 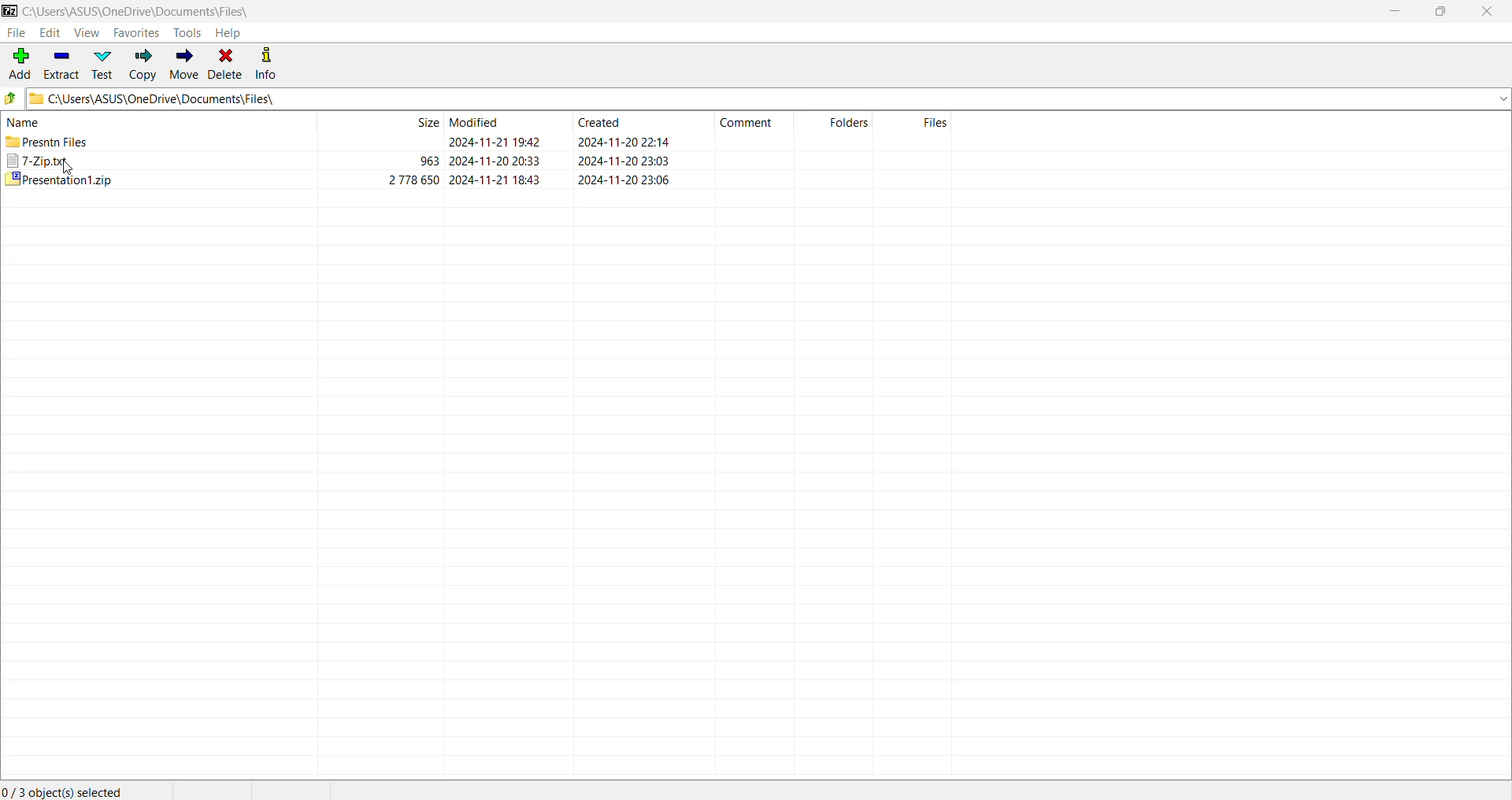 I want to click on folders, so click(x=850, y=122).